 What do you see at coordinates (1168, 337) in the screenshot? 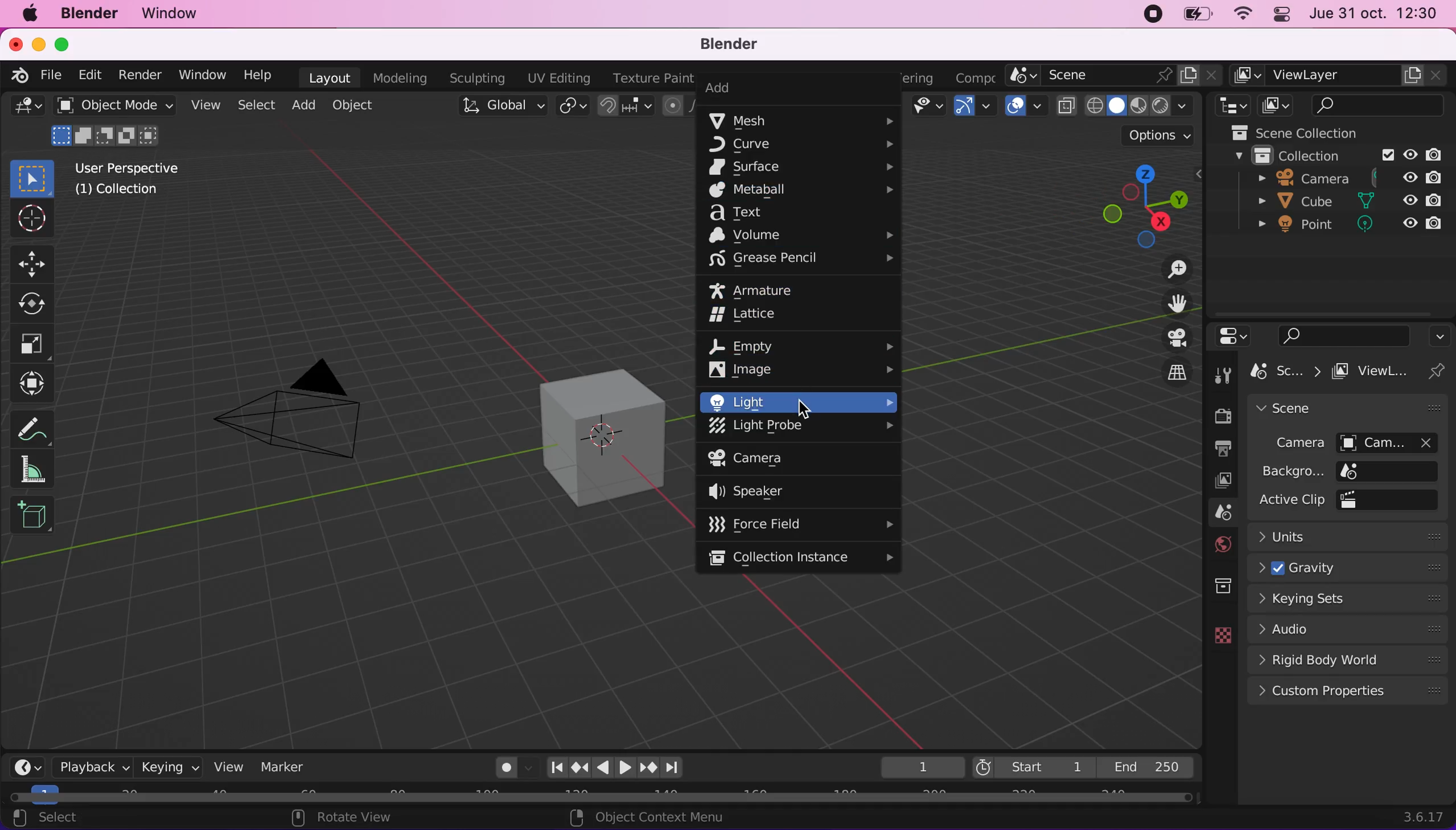
I see `toggle display view` at bounding box center [1168, 337].